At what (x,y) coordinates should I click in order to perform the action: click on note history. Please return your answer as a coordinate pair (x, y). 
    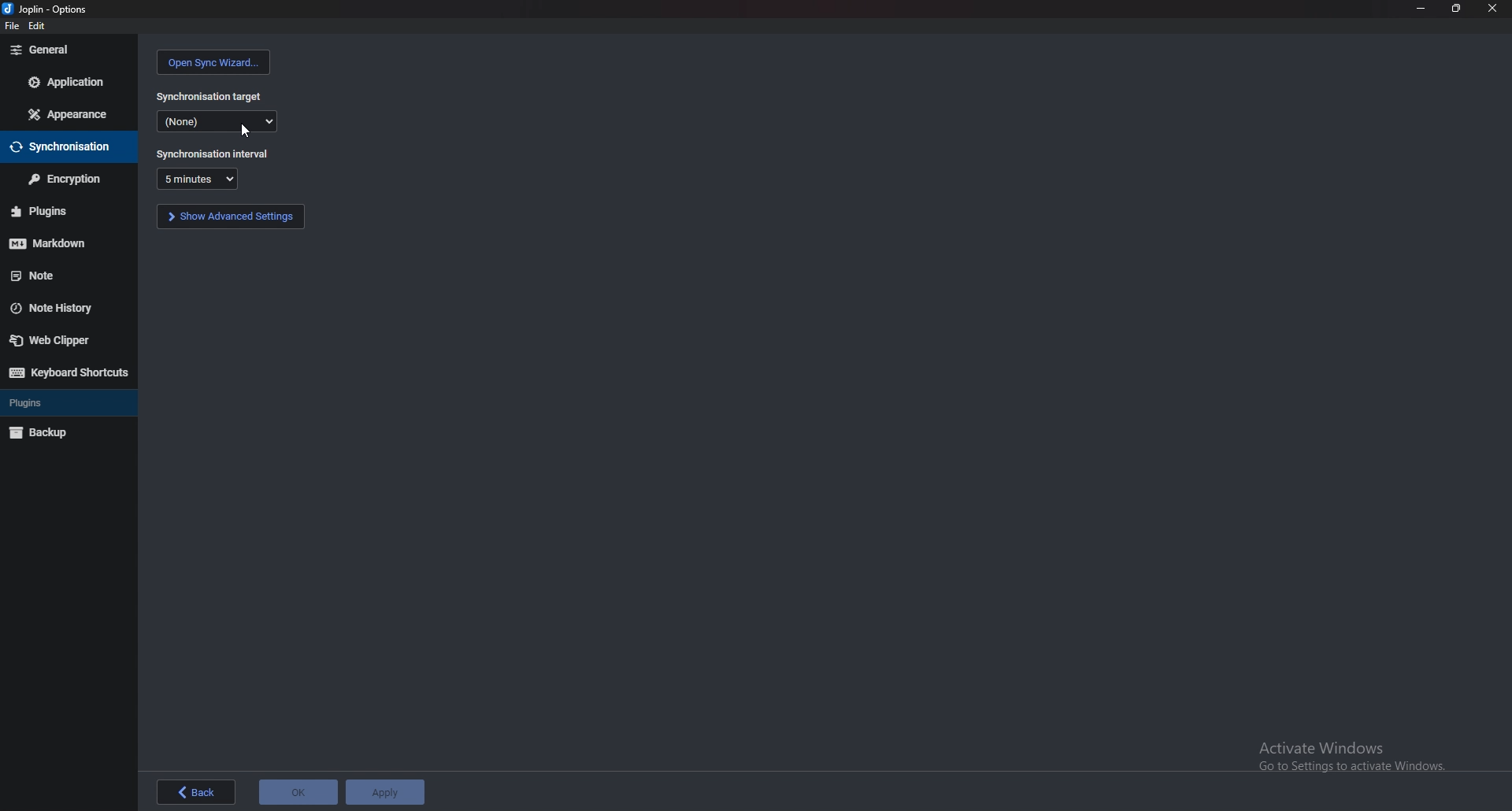
    Looking at the image, I should click on (57, 309).